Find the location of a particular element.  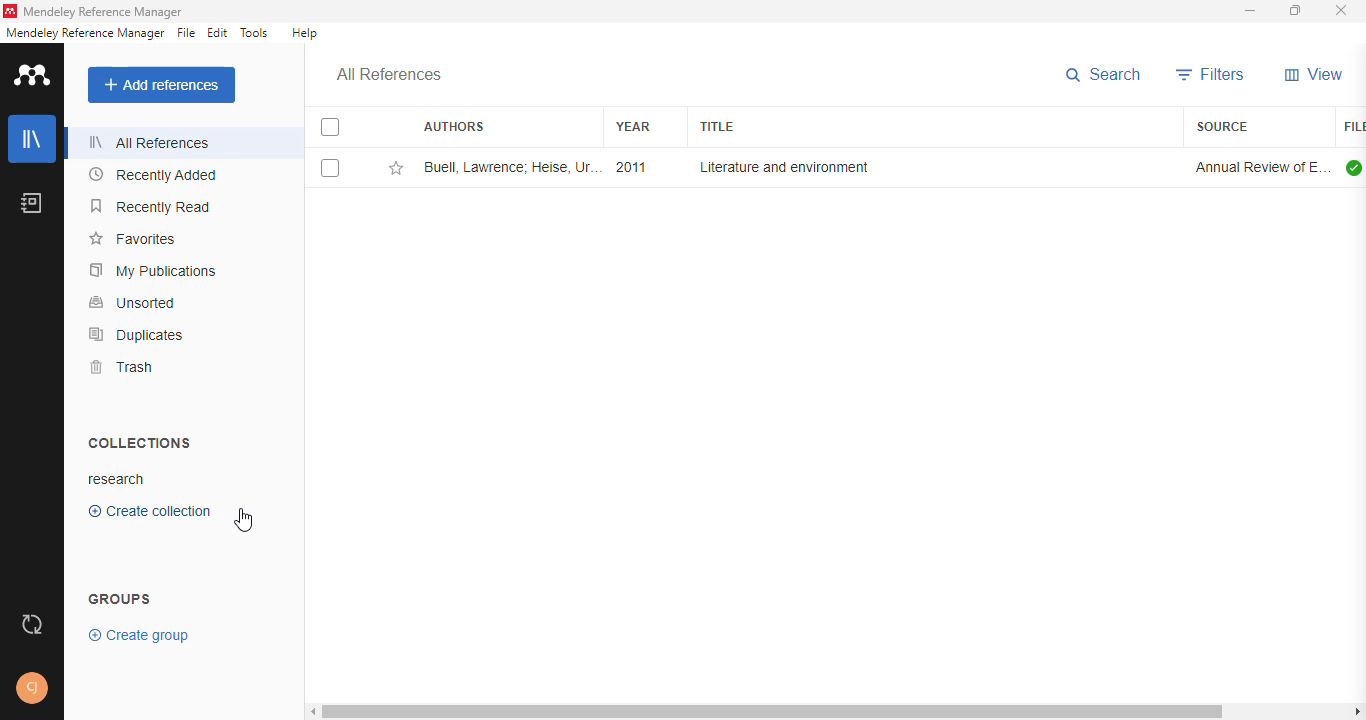

literature and environment is located at coordinates (782, 167).